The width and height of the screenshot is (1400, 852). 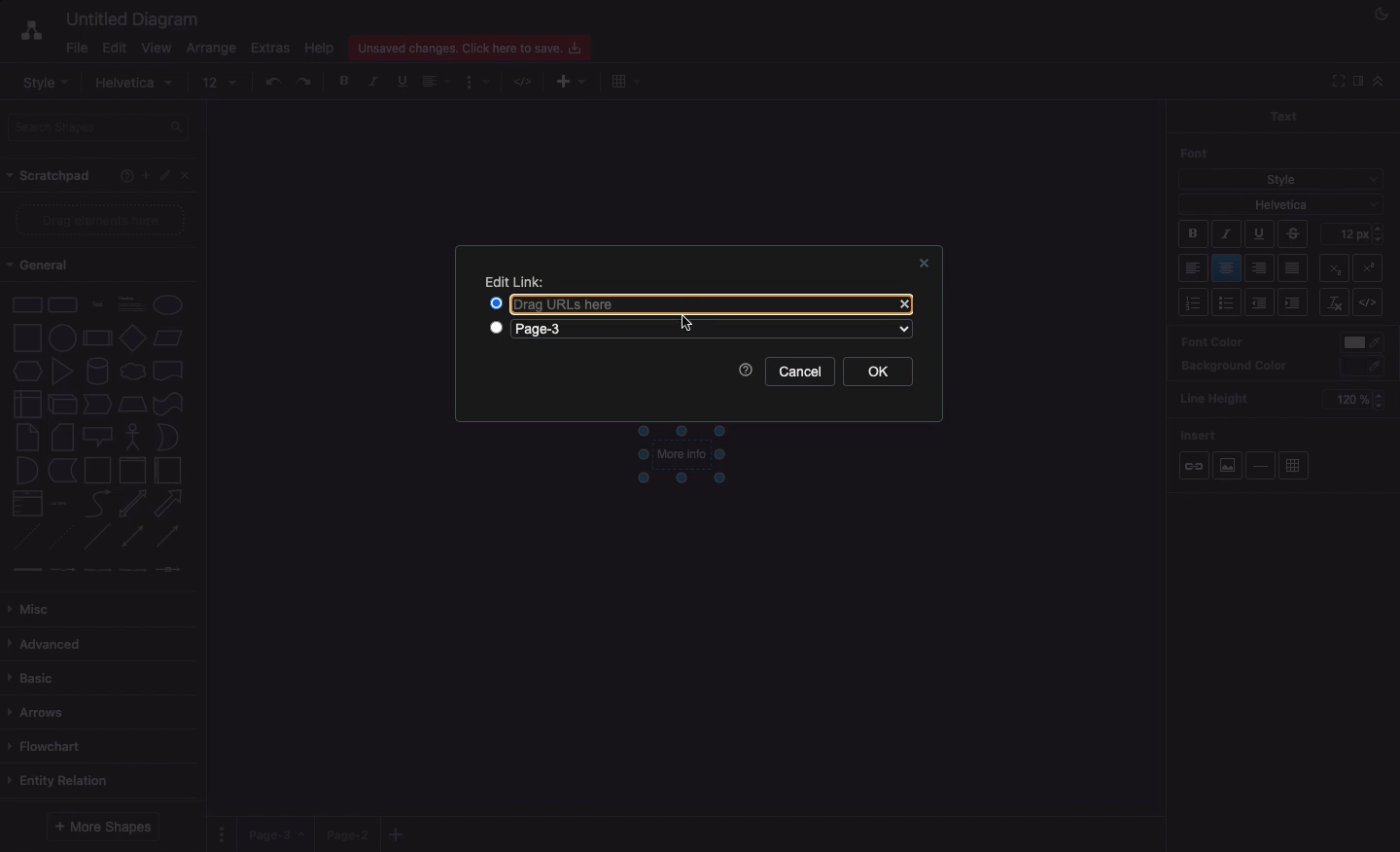 I want to click on card, so click(x=63, y=436).